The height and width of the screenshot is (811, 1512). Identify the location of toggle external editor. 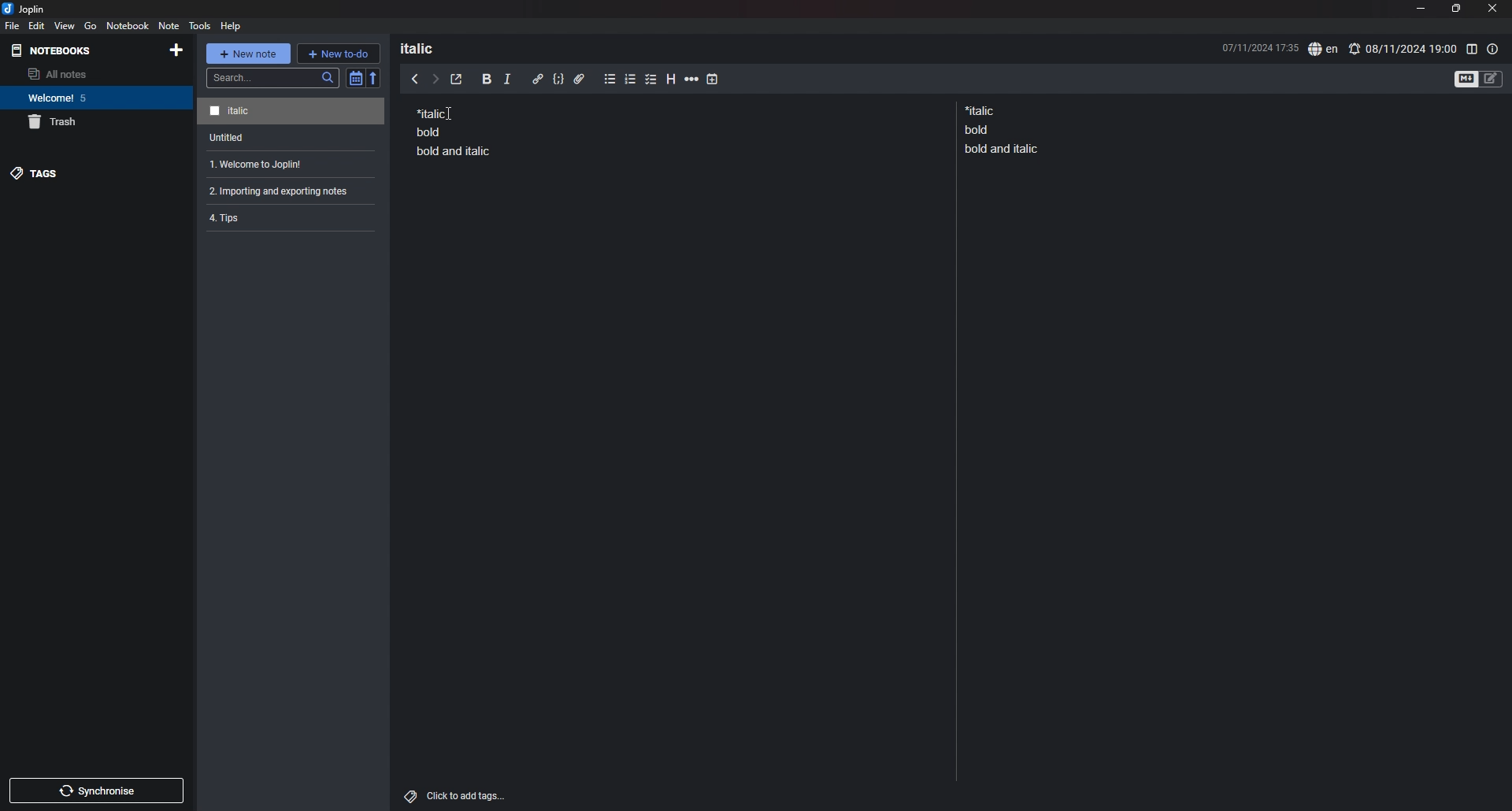
(457, 80).